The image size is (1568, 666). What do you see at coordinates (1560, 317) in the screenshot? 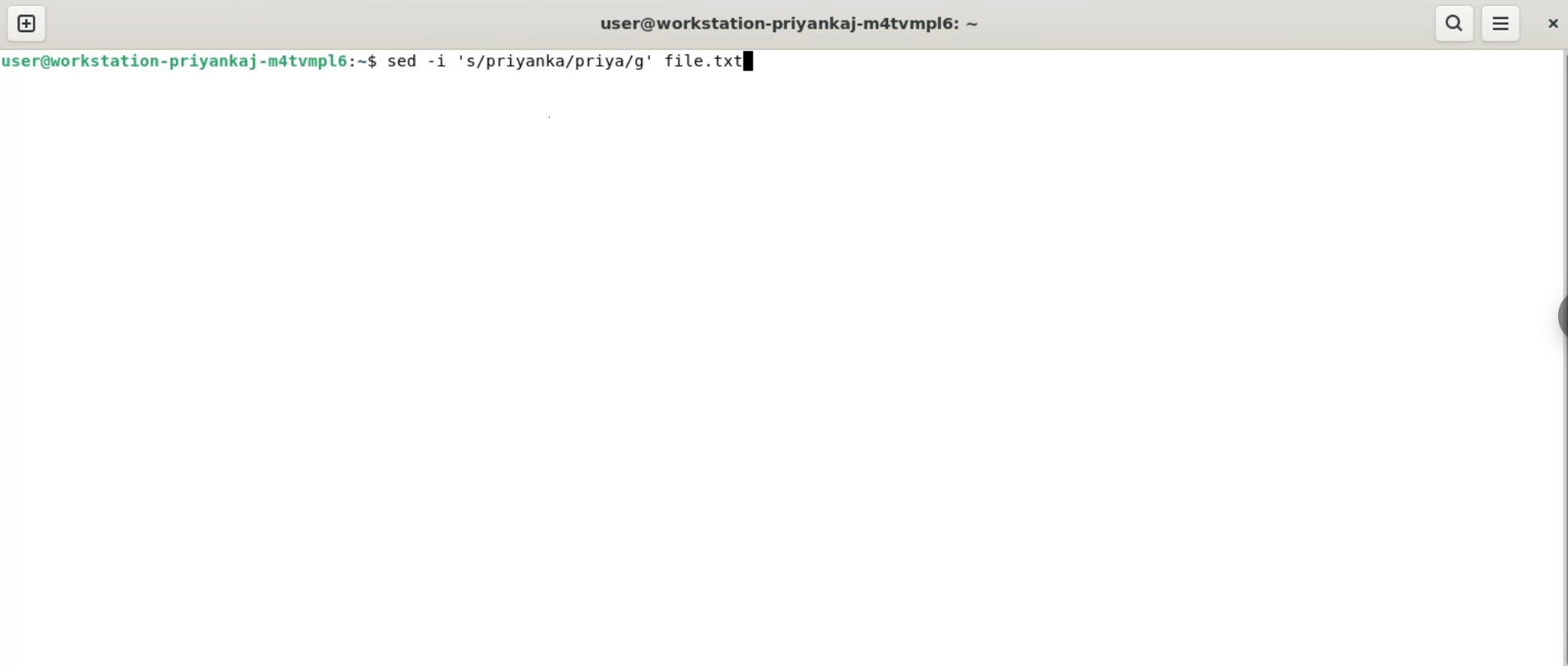
I see `sidebar` at bounding box center [1560, 317].